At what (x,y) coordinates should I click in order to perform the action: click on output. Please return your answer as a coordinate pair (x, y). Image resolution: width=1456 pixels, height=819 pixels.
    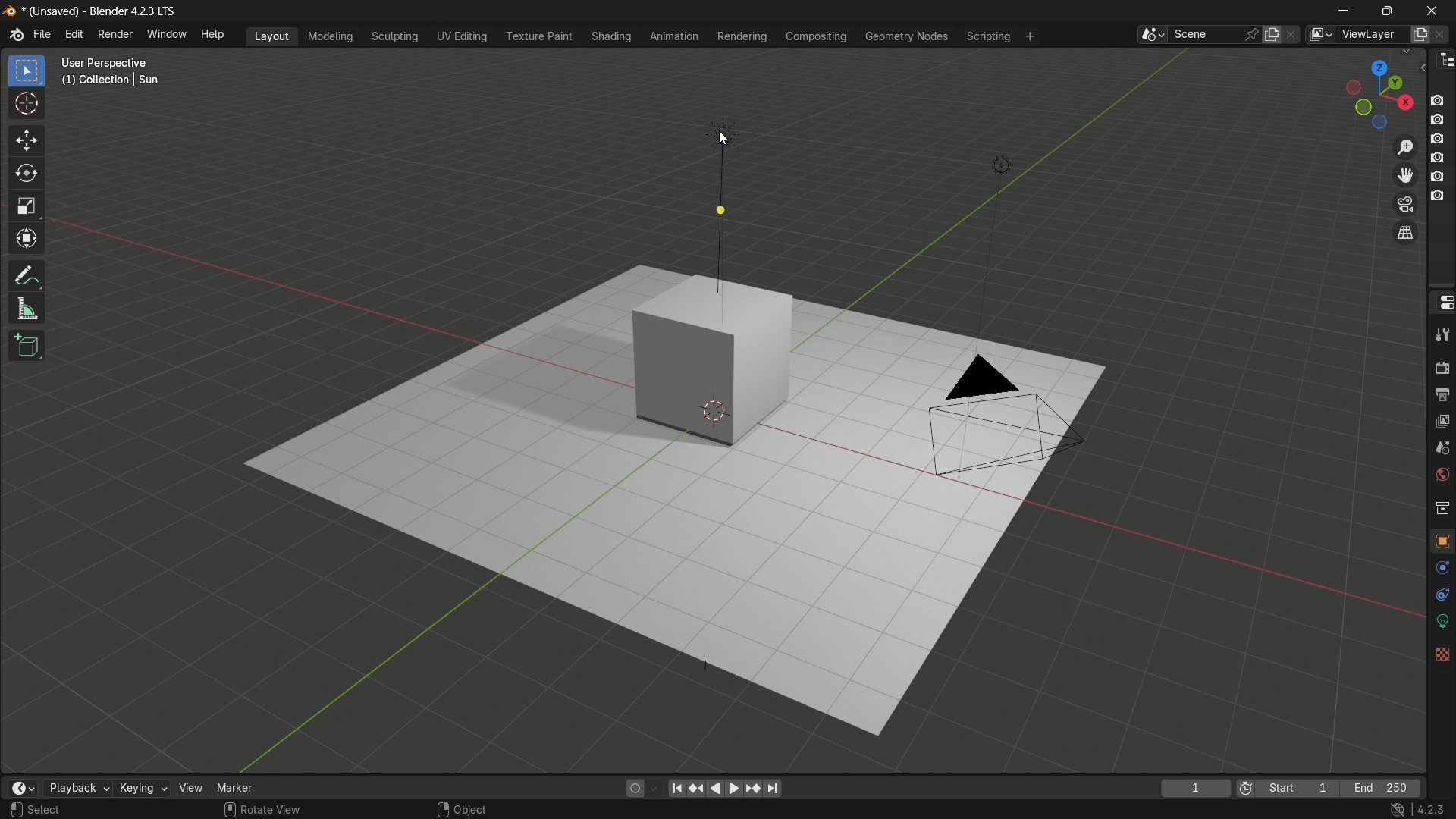
    Looking at the image, I should click on (1442, 395).